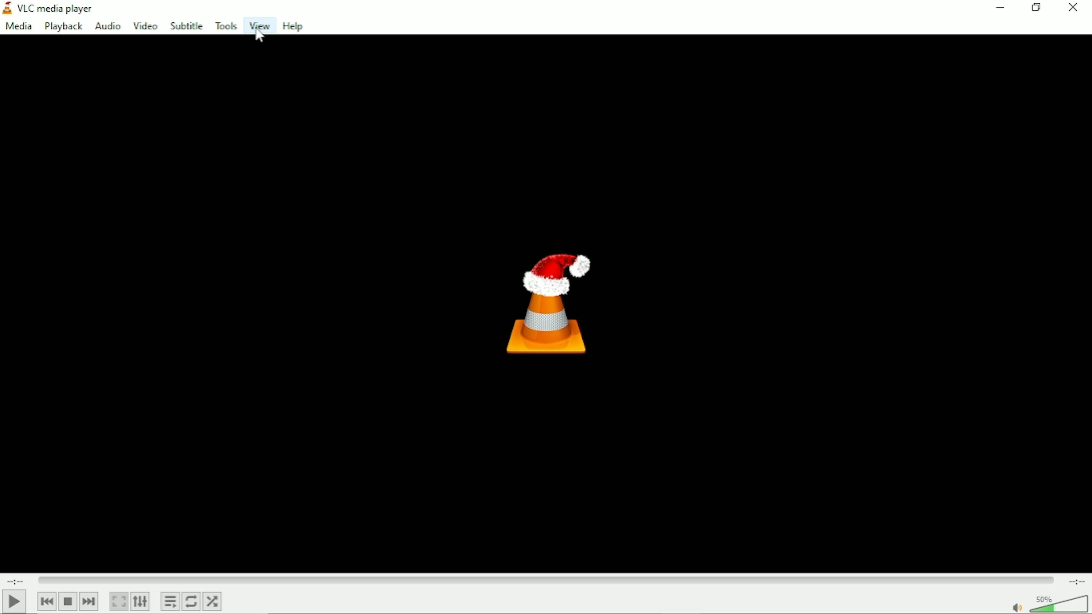 The height and width of the screenshot is (614, 1092). I want to click on Previous, so click(47, 601).